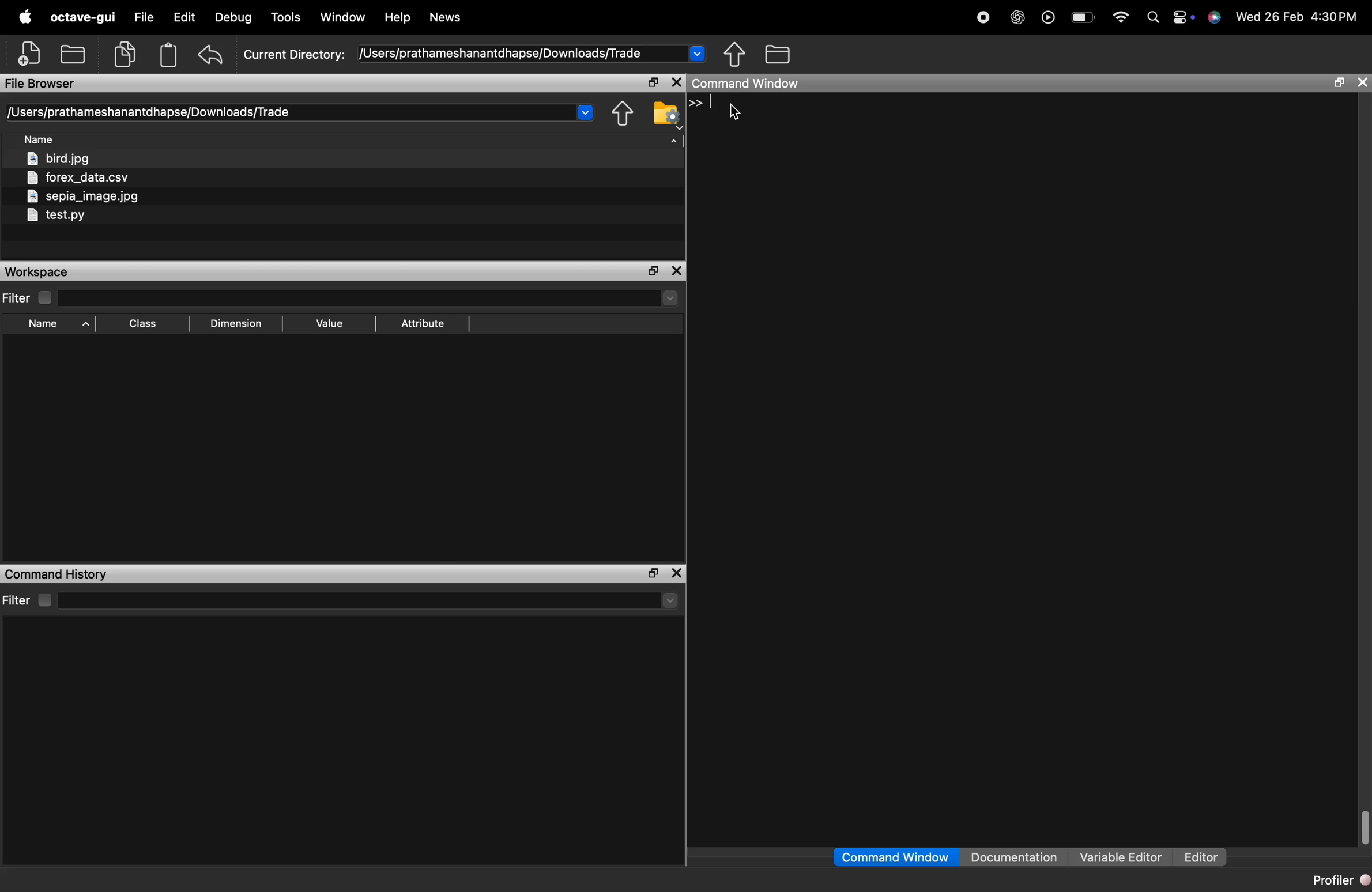 The width and height of the screenshot is (1372, 892). Describe the element at coordinates (59, 157) in the screenshot. I see ` bird.jpg` at that location.